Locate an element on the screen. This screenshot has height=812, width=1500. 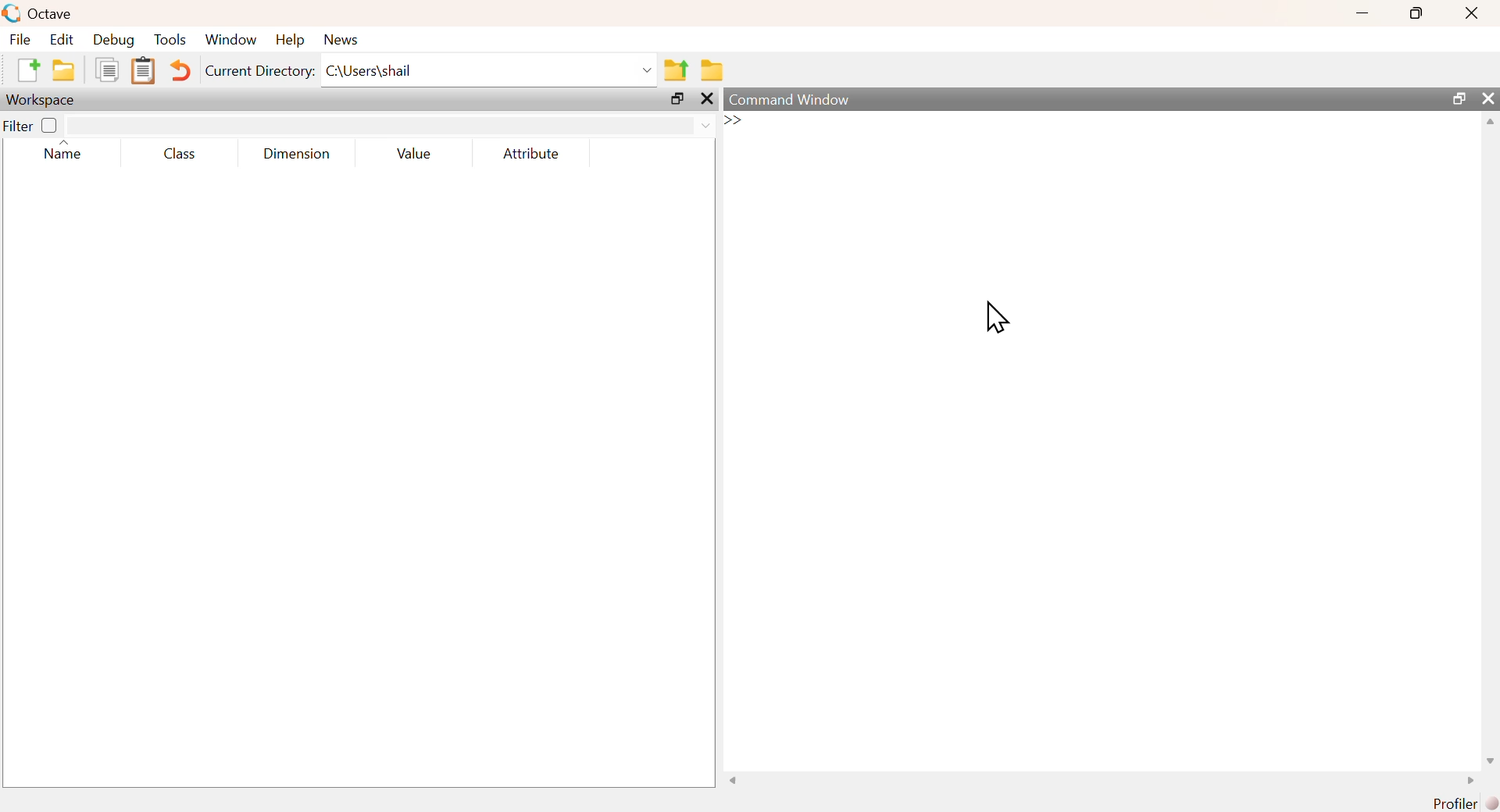
scroll down is located at coordinates (1486, 760).